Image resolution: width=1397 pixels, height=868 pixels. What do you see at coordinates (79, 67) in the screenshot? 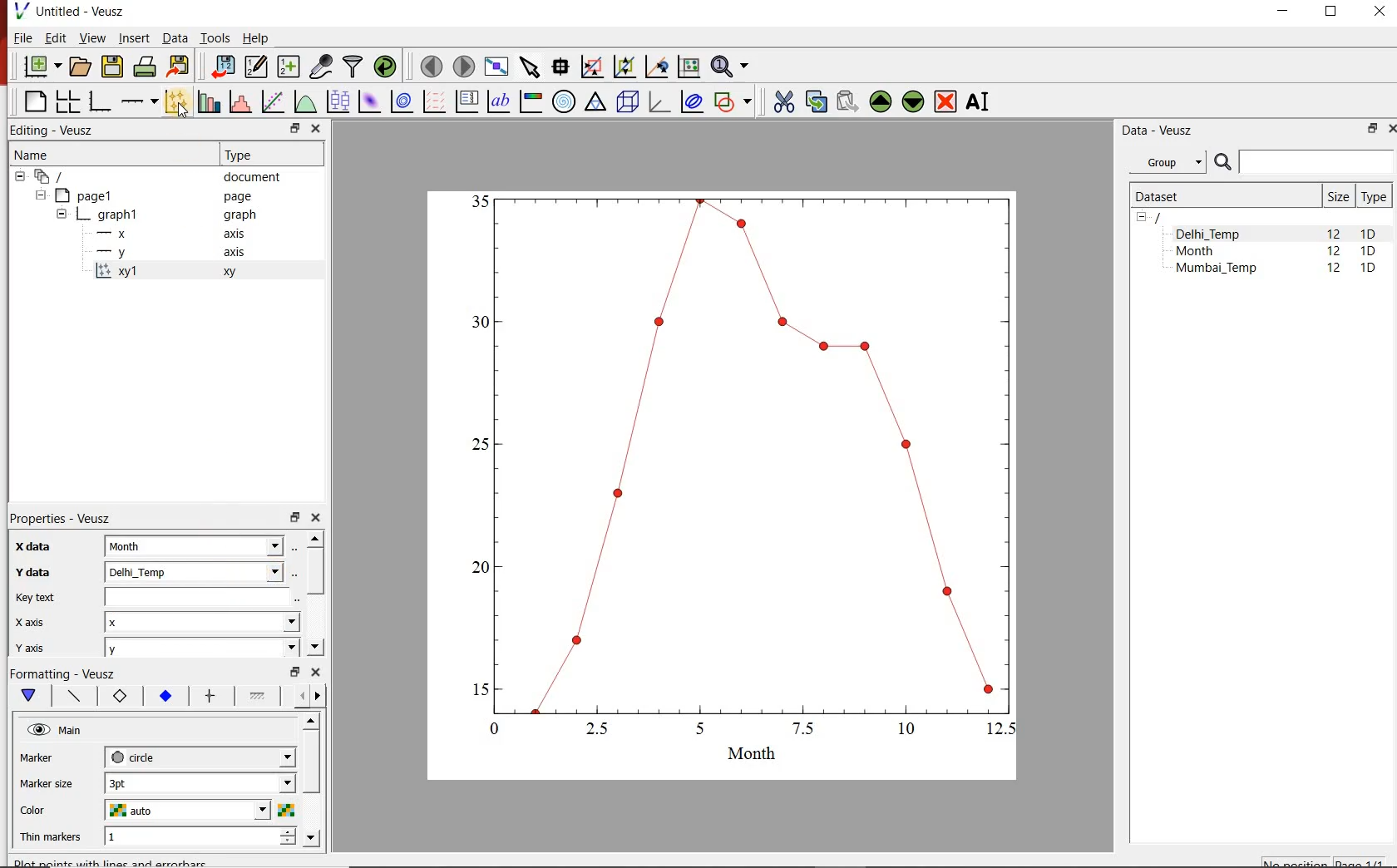
I see `open a document` at bounding box center [79, 67].